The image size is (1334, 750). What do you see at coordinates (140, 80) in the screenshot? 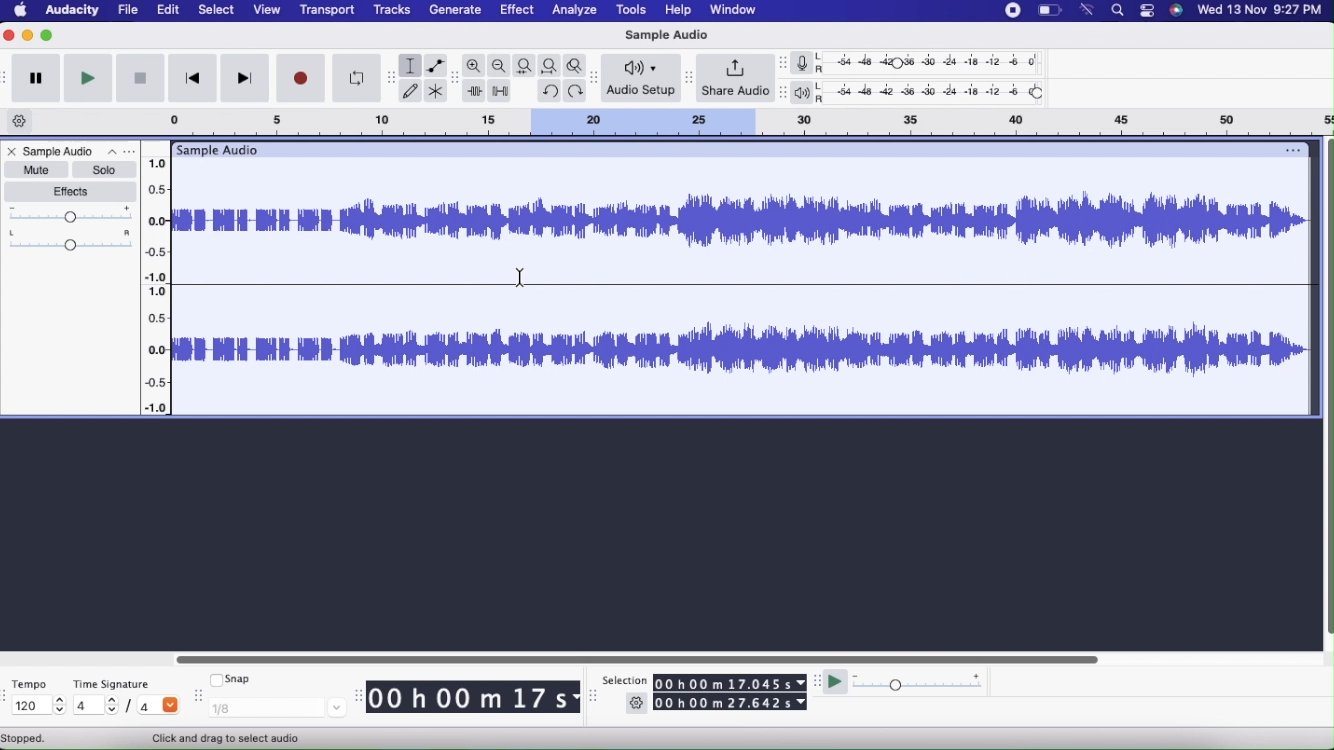
I see `Stop` at bounding box center [140, 80].